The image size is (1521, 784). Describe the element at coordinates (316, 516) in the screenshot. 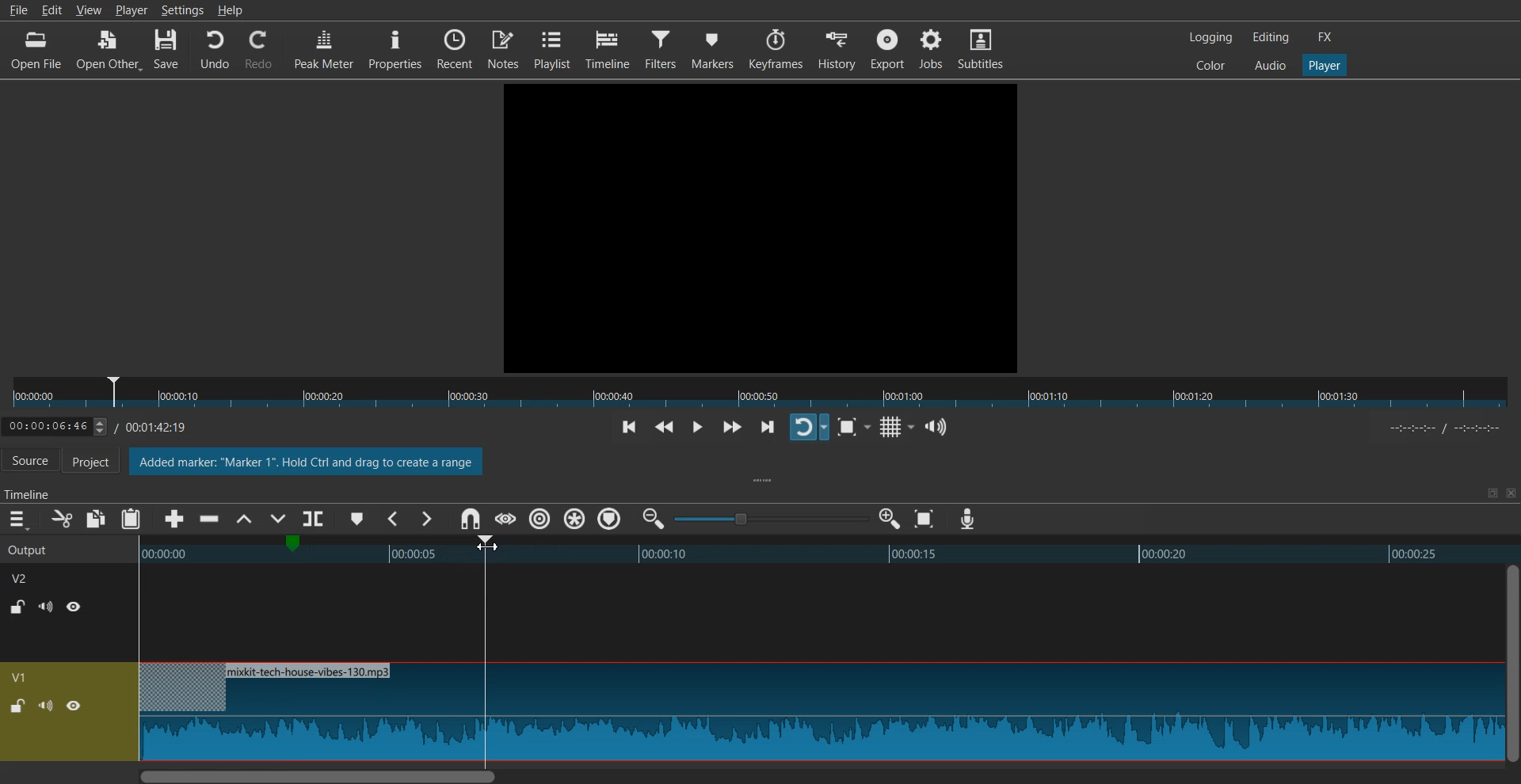

I see `Split at playhead` at that location.